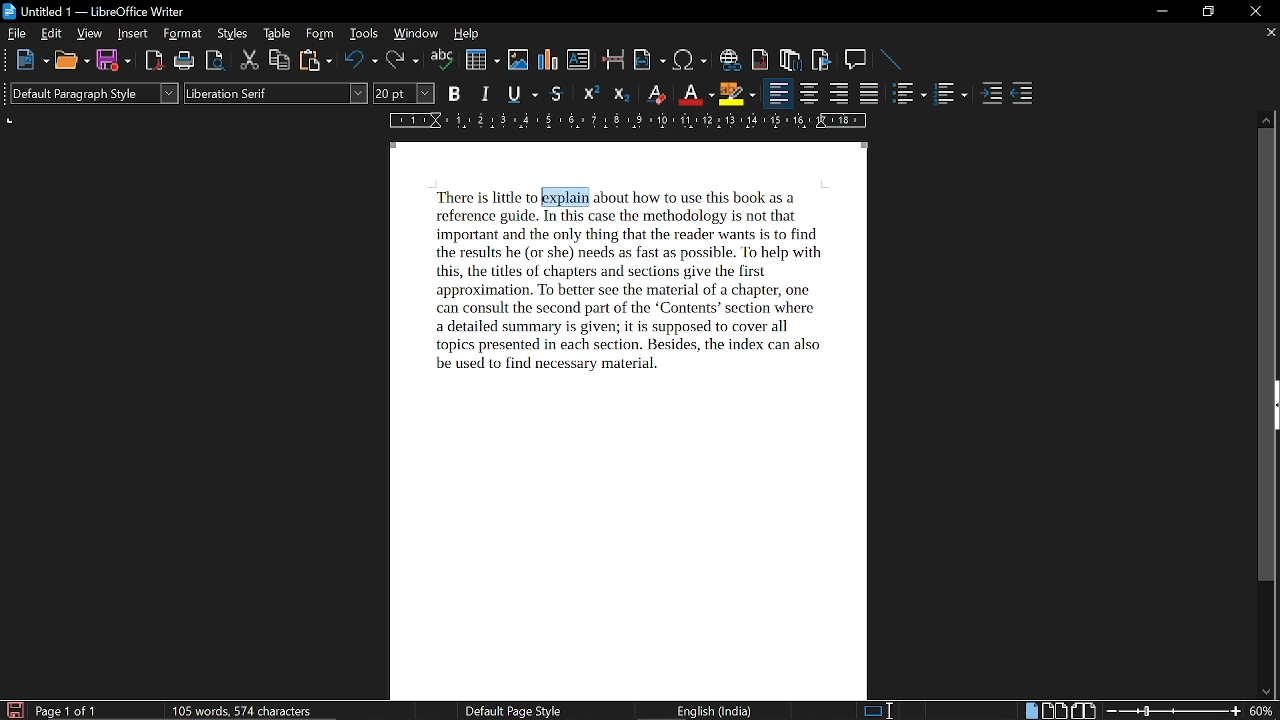  What do you see at coordinates (134, 35) in the screenshot?
I see `insert` at bounding box center [134, 35].